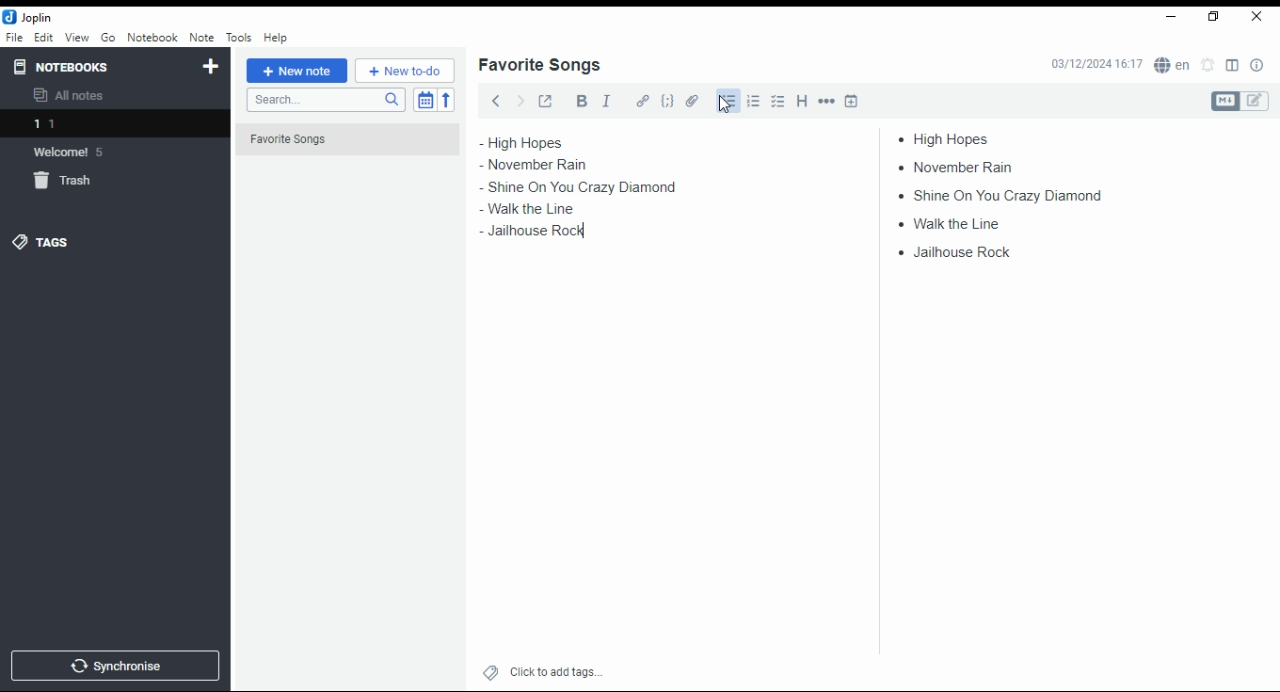 The image size is (1280, 692). Describe the element at coordinates (211, 67) in the screenshot. I see `new notebook` at that location.